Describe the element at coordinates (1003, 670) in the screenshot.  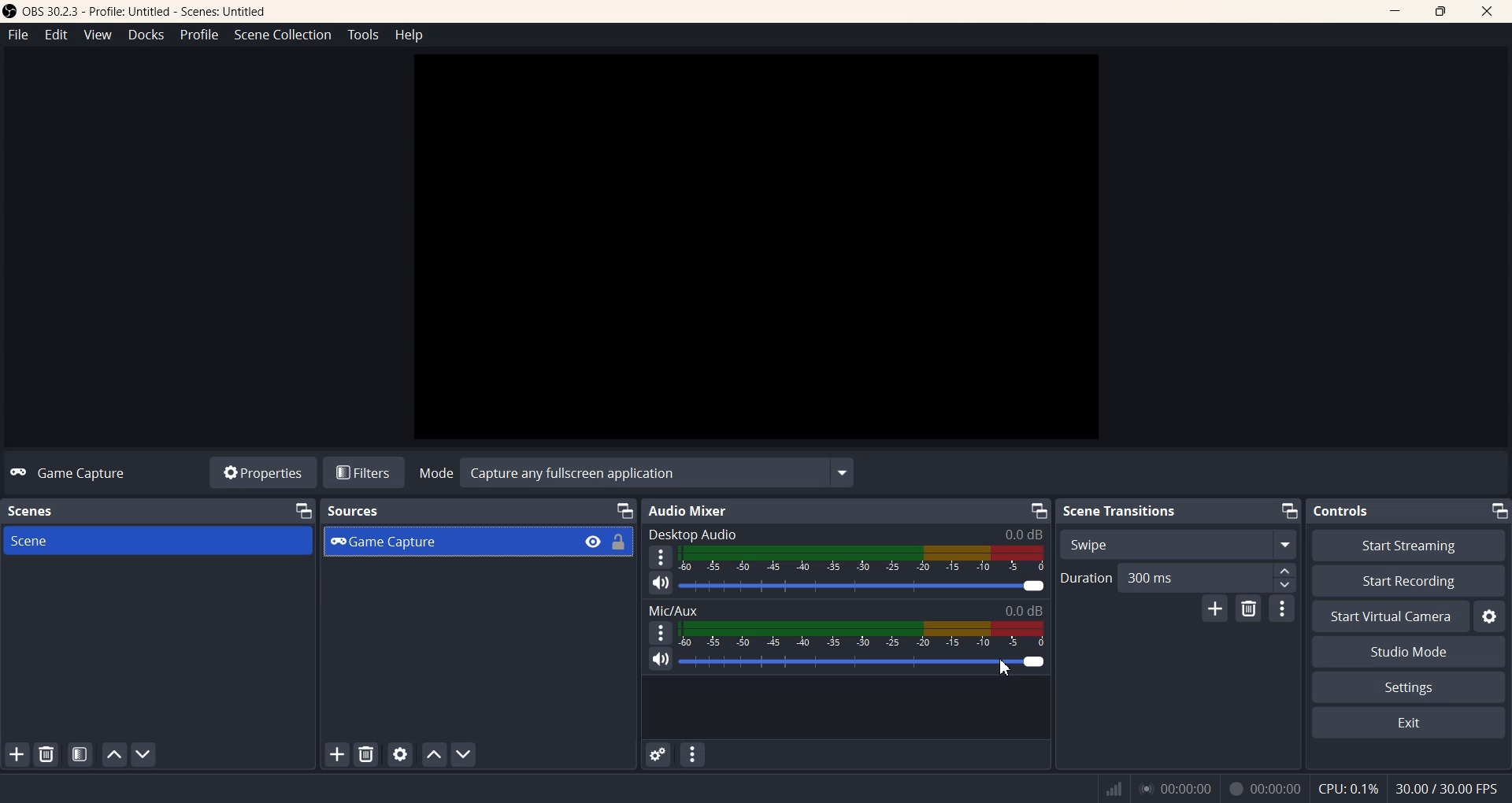
I see `Cursor` at that location.